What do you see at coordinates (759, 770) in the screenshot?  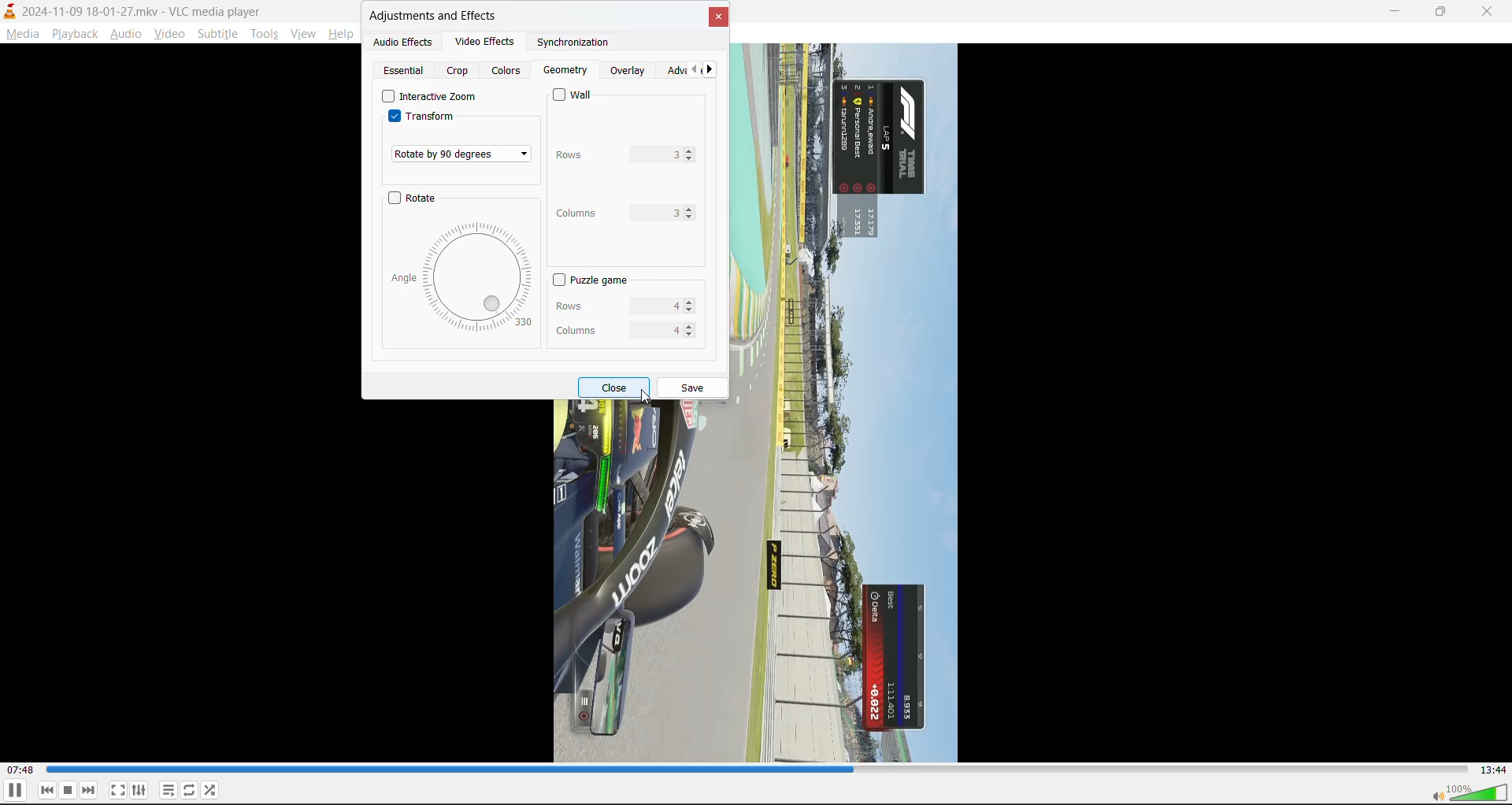 I see `track slider` at bounding box center [759, 770].